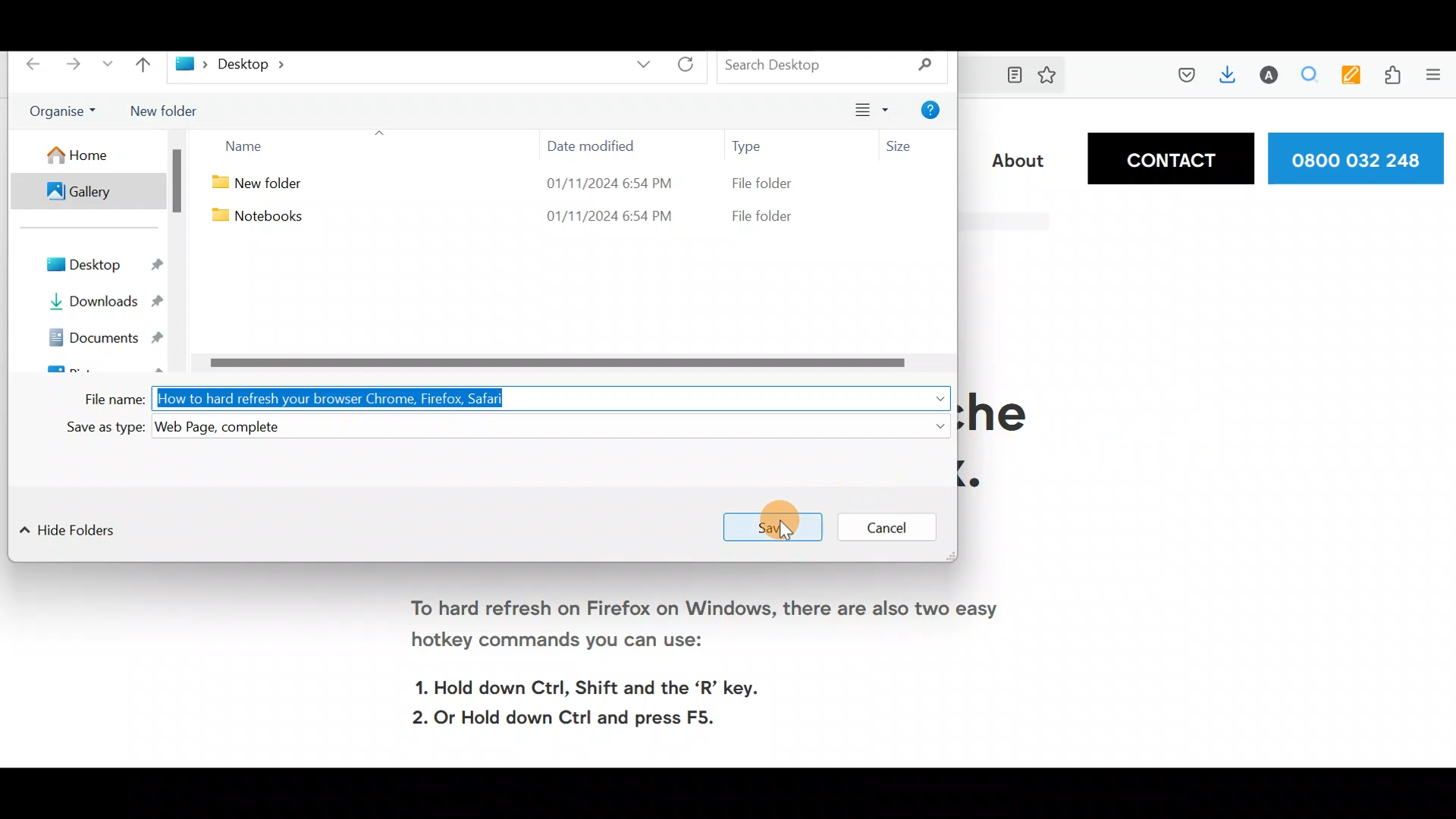  I want to click on Extension, so click(1394, 78).